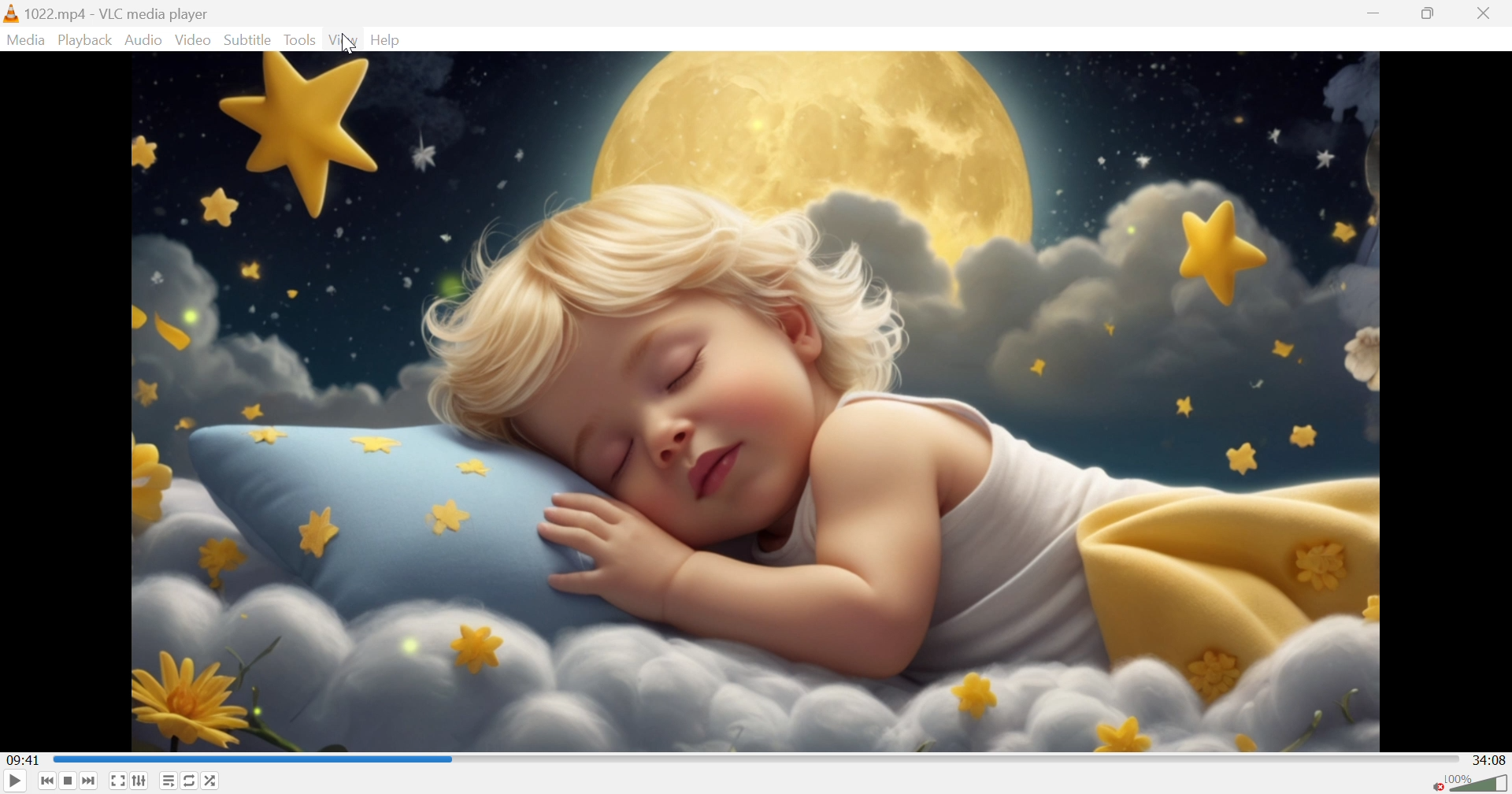 This screenshot has height=794, width=1512. Describe the element at coordinates (1480, 784) in the screenshot. I see `Volume` at that location.